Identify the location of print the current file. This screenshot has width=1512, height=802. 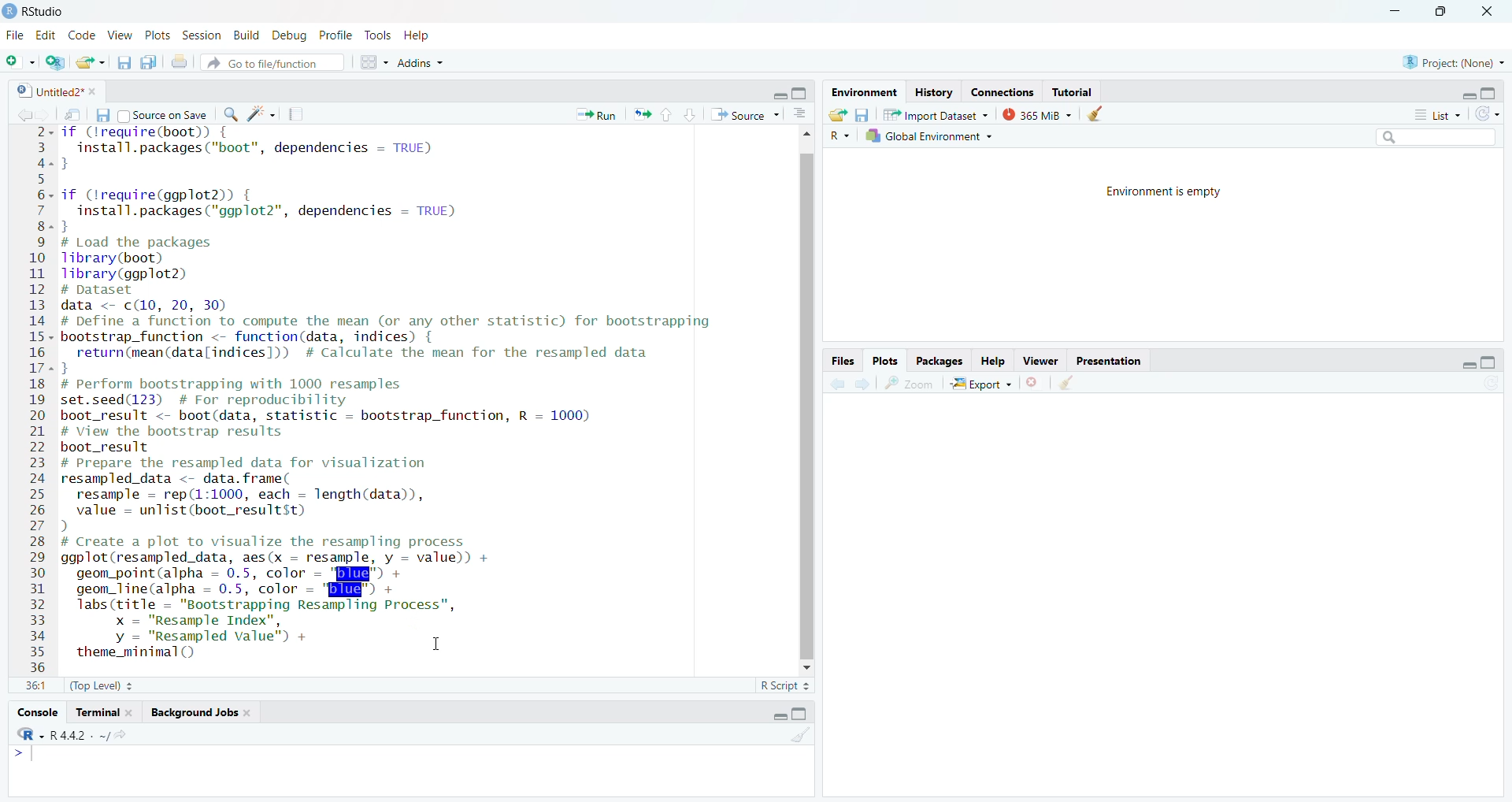
(183, 61).